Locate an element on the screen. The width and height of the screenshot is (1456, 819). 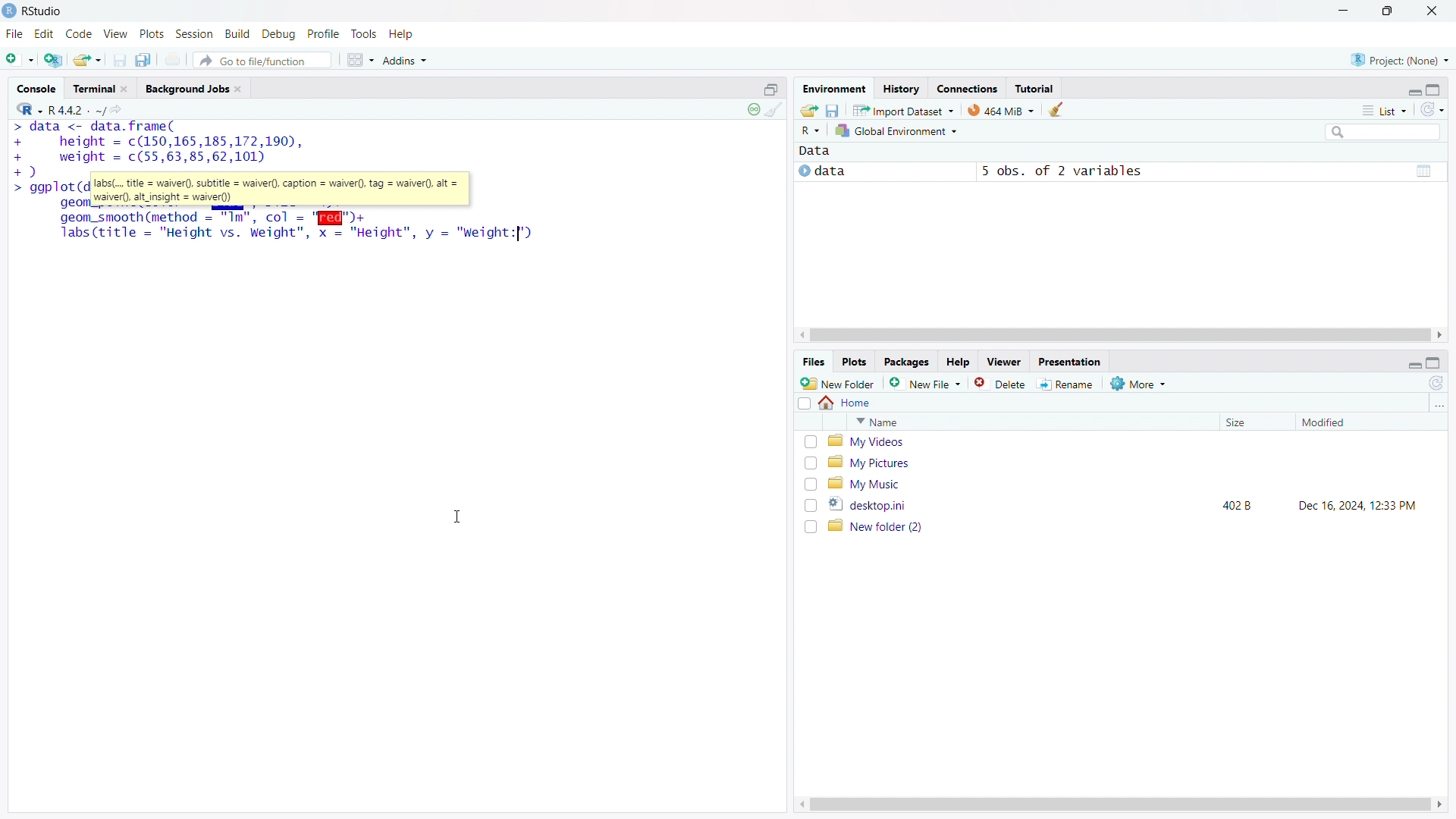
rename is located at coordinates (1068, 384).